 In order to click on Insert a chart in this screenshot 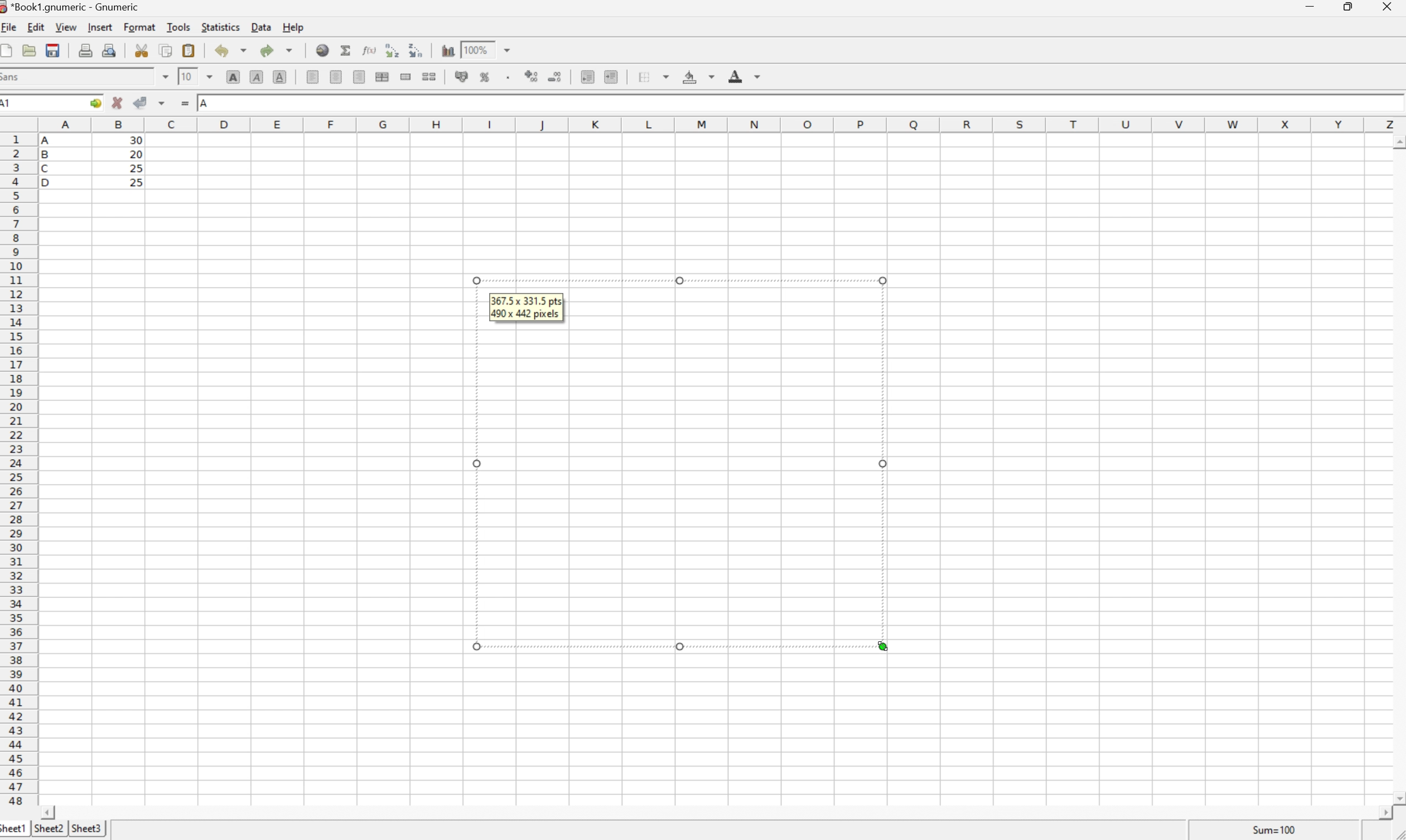, I will do `click(447, 48)`.